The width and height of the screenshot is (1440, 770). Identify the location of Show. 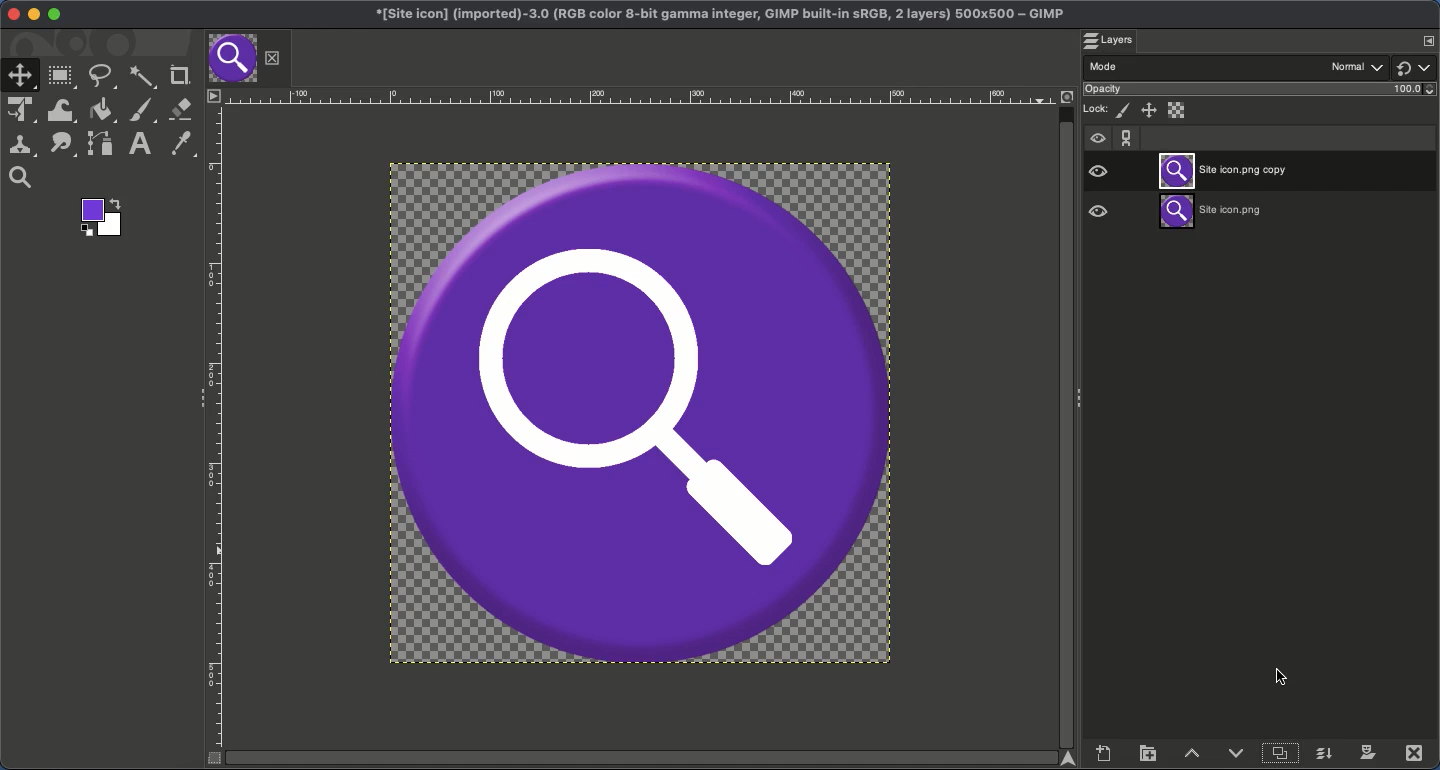
(1098, 136).